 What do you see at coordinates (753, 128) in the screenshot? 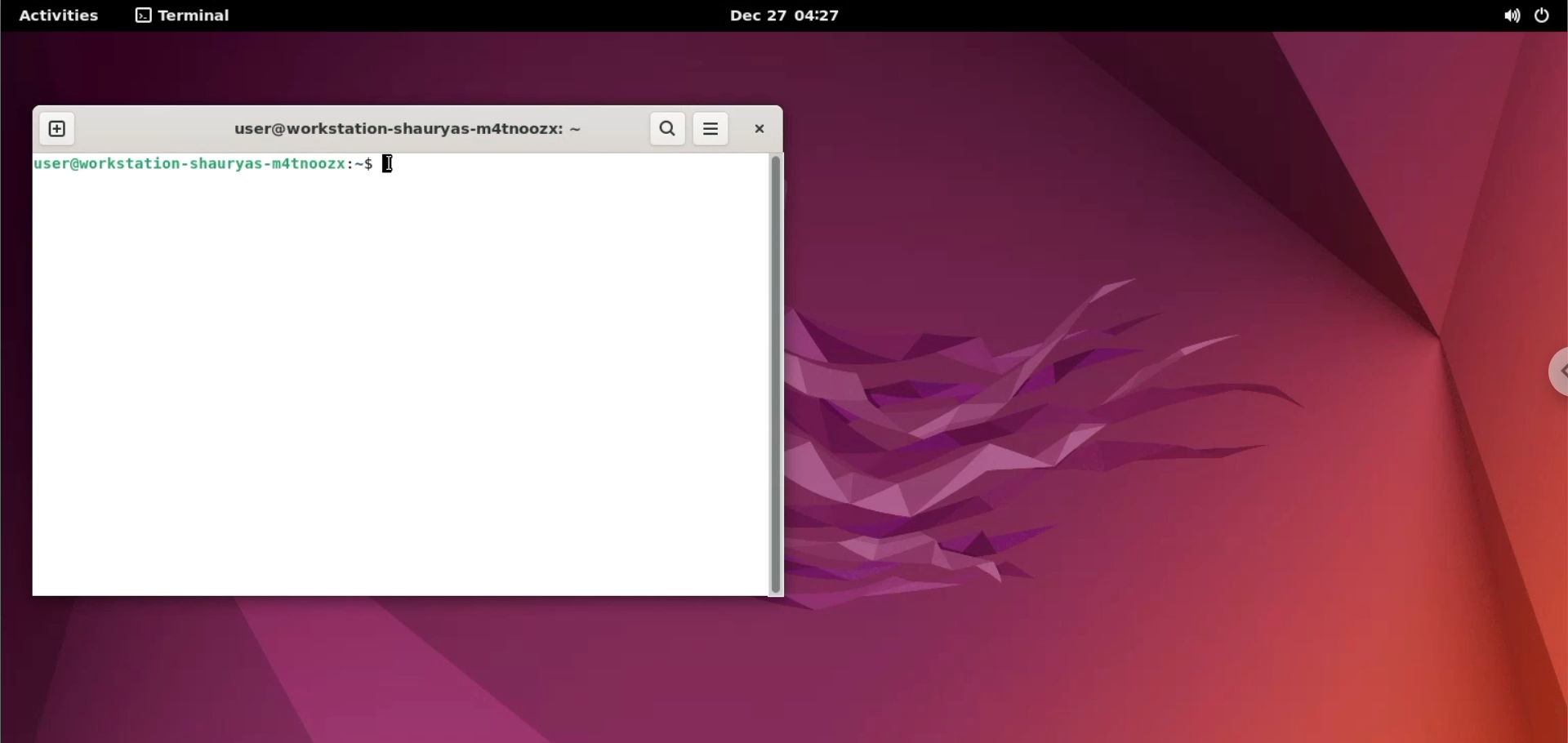
I see `close` at bounding box center [753, 128].